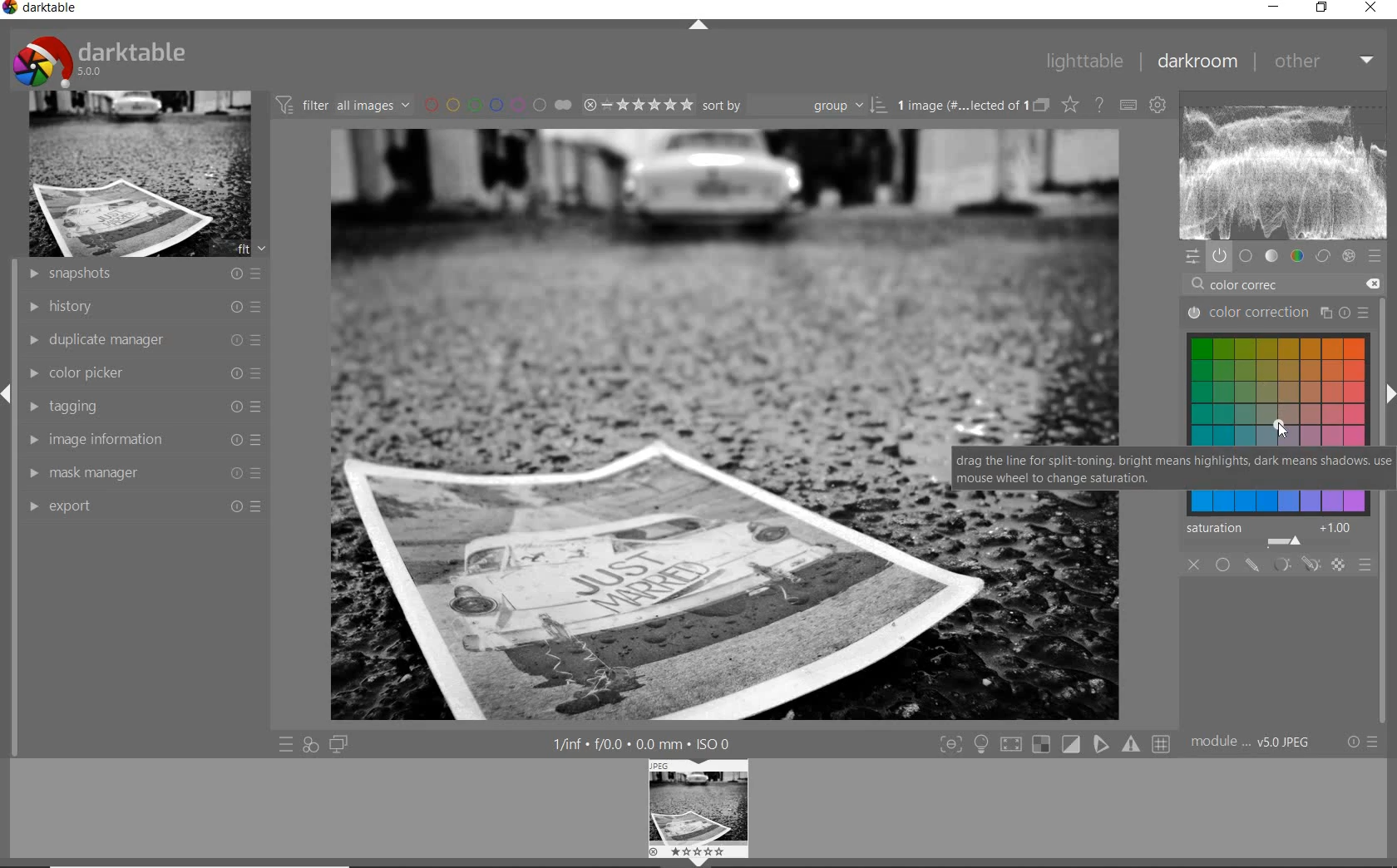 The width and height of the screenshot is (1397, 868). Describe the element at coordinates (1323, 256) in the screenshot. I see `correct` at that location.